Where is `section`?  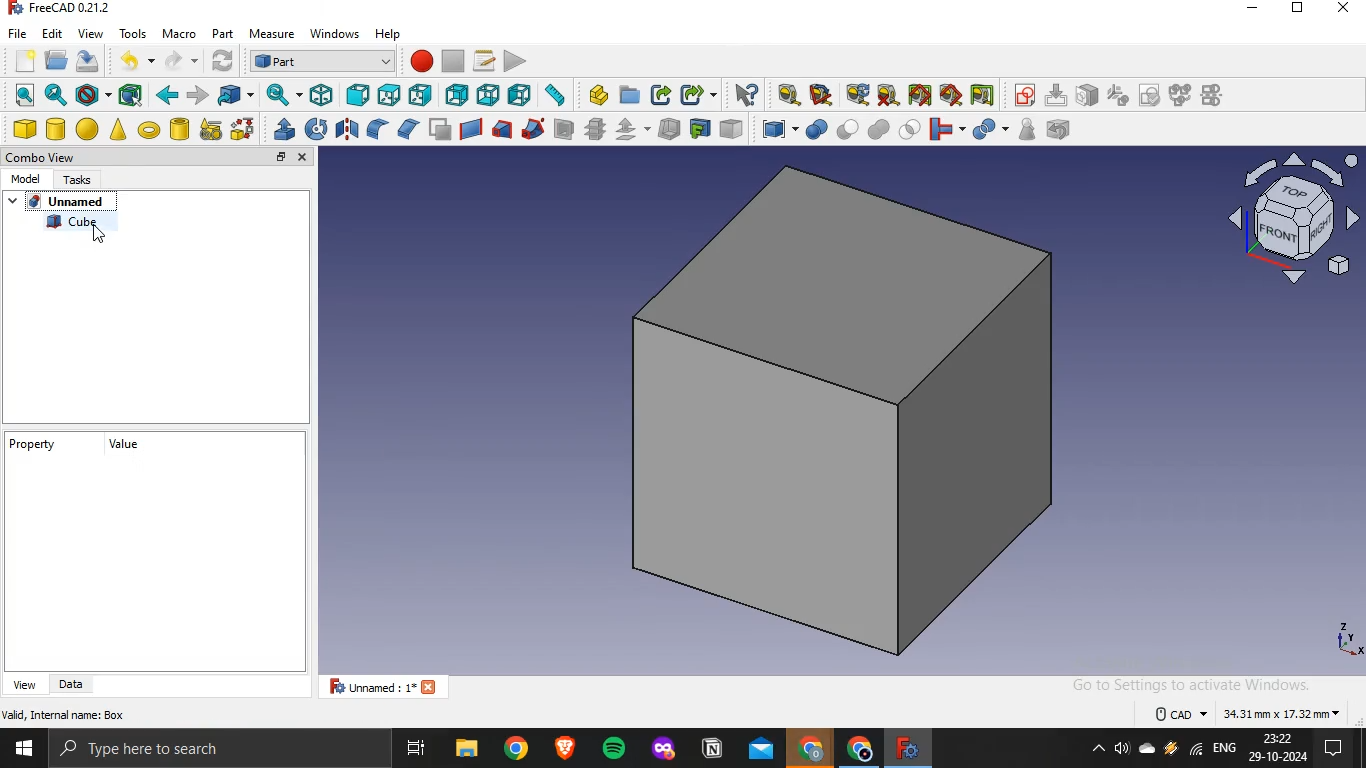
section is located at coordinates (563, 129).